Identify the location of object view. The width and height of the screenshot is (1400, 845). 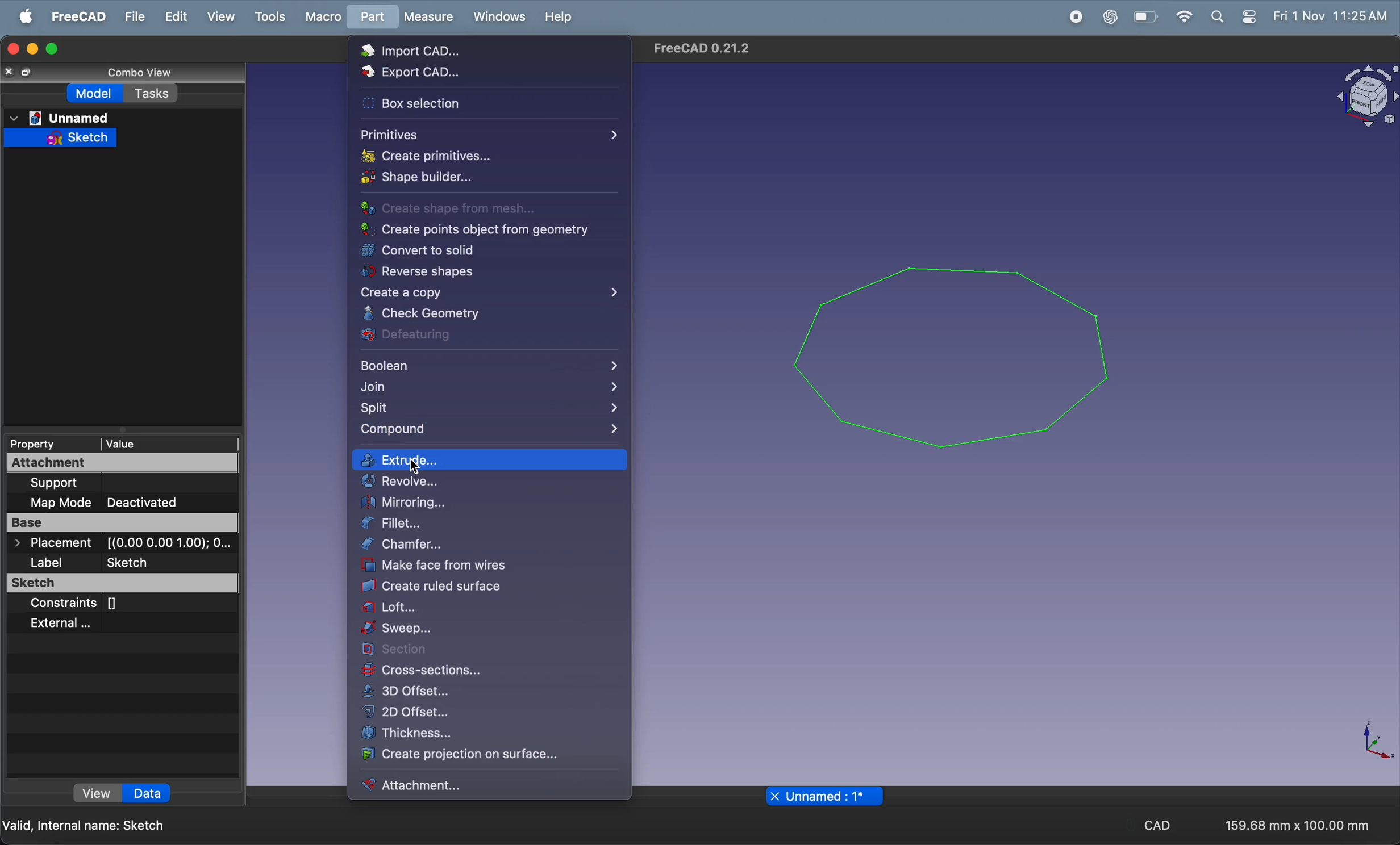
(1359, 97).